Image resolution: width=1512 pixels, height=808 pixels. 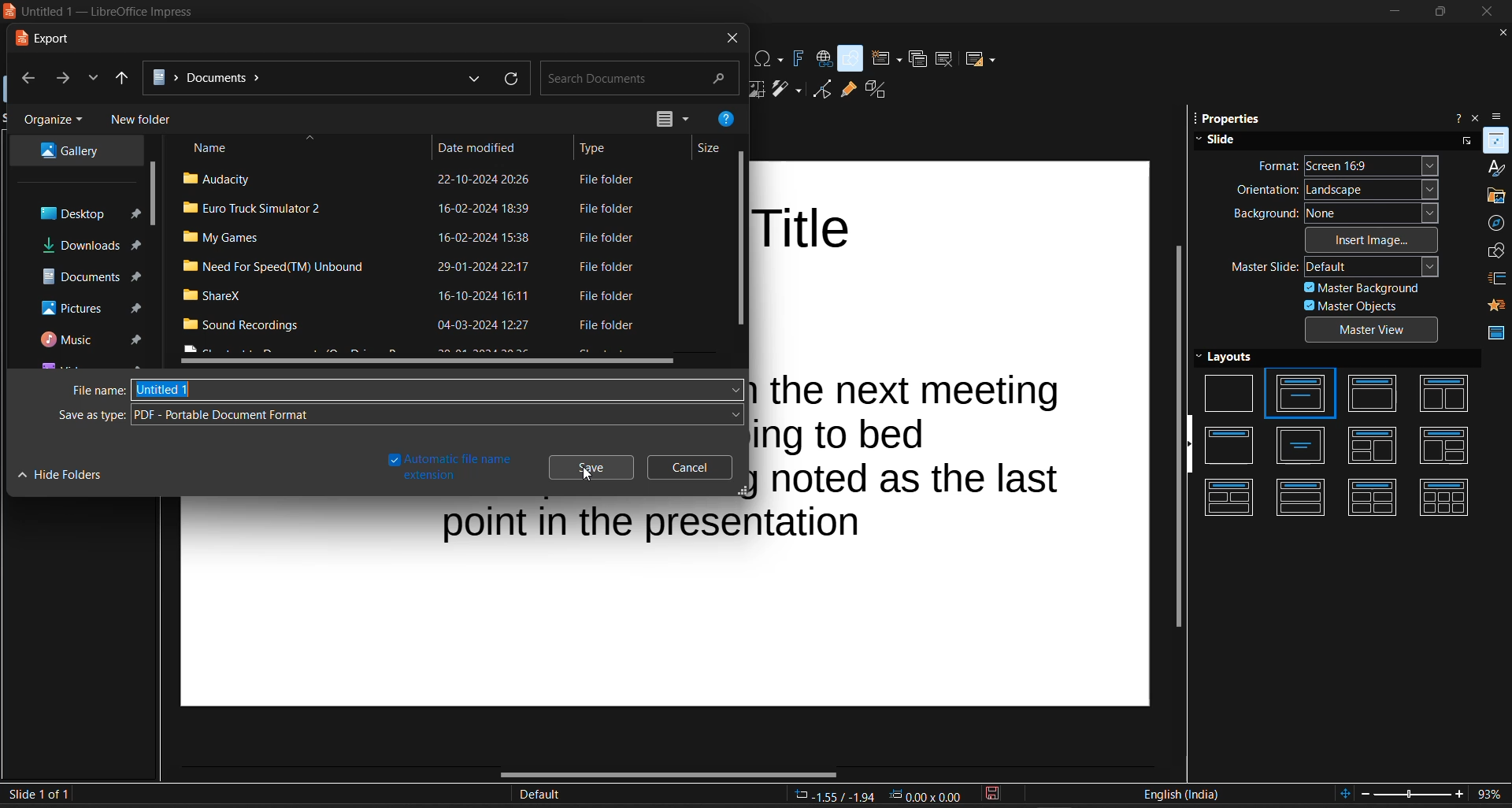 What do you see at coordinates (489, 238) in the screenshot?
I see `16-02-2024 15:38` at bounding box center [489, 238].